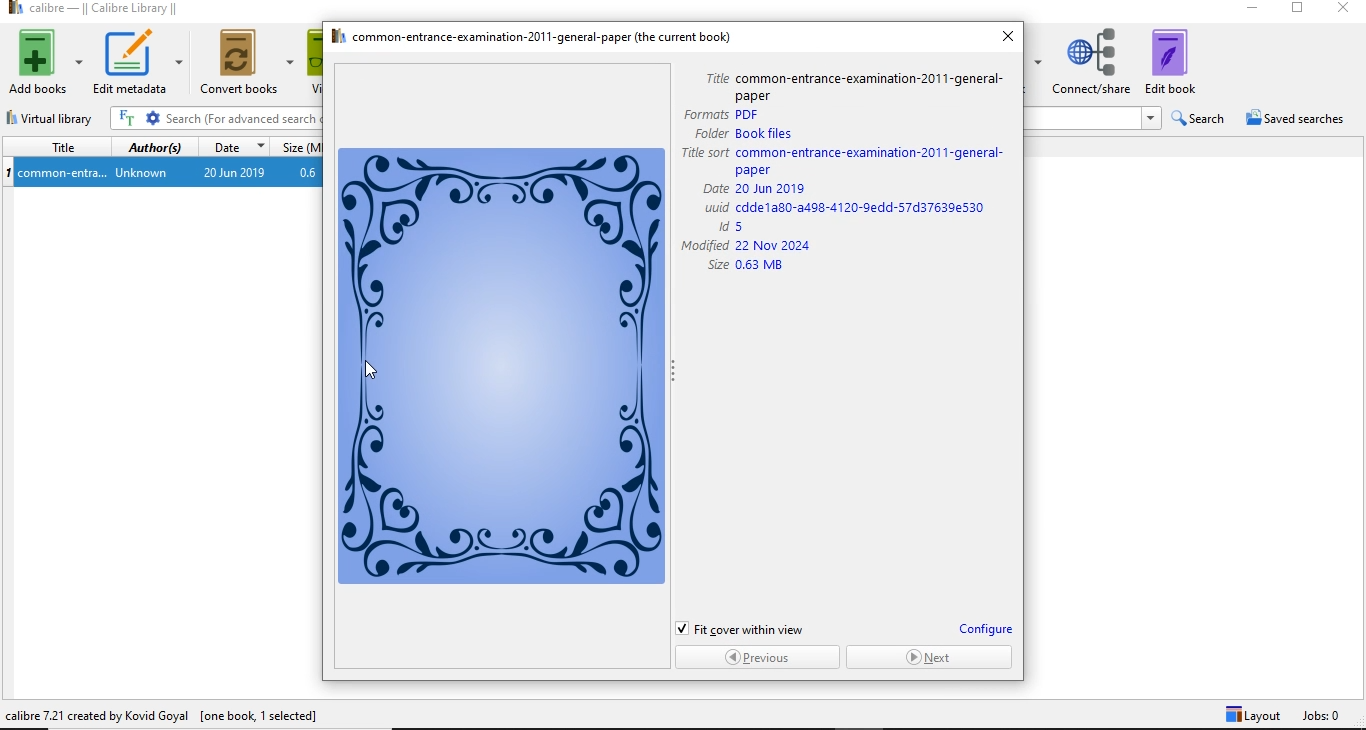 Image resolution: width=1366 pixels, height=730 pixels. I want to click on Checkbox , so click(682, 628).